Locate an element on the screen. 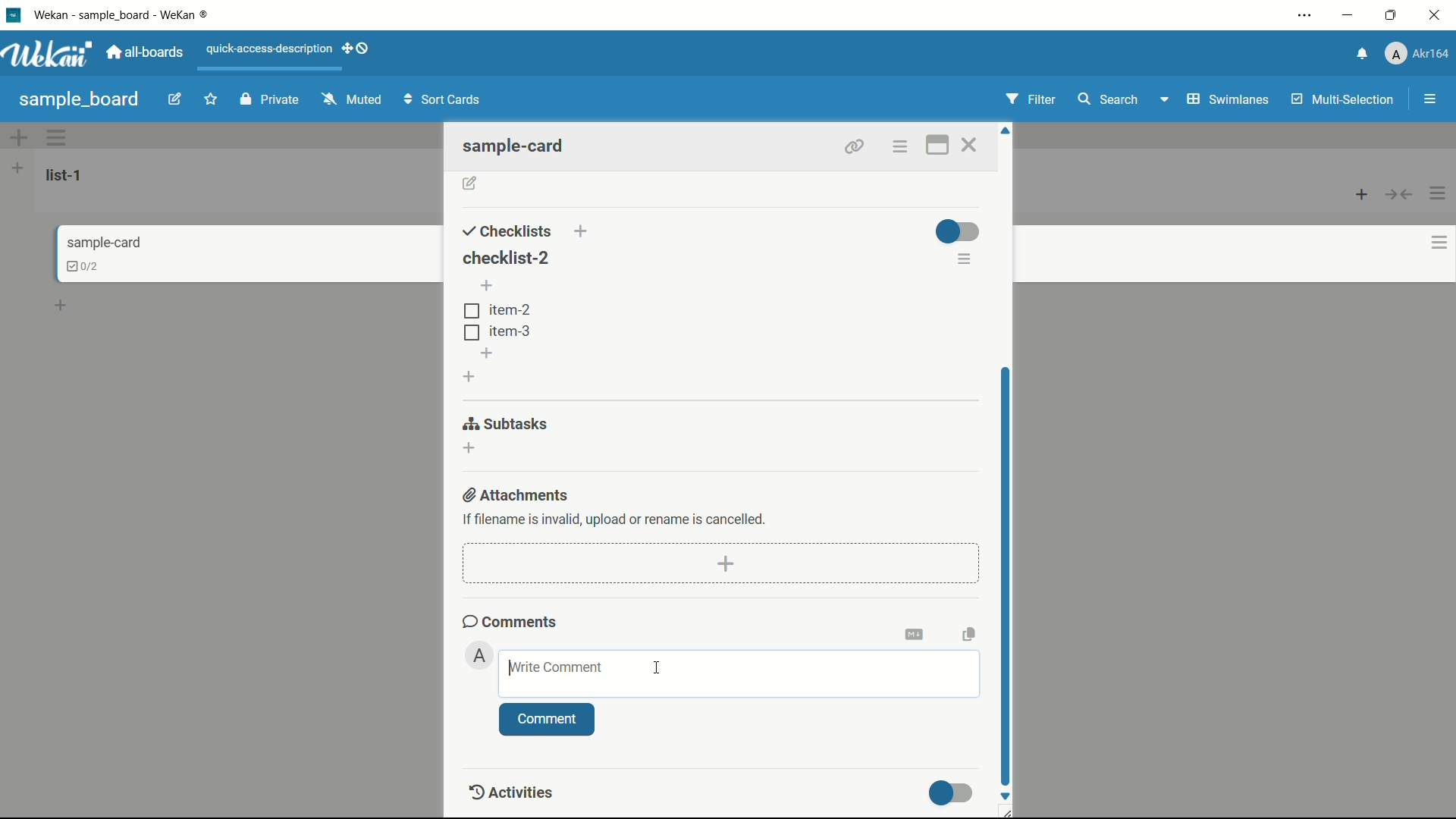  swimlane actions is located at coordinates (58, 138).